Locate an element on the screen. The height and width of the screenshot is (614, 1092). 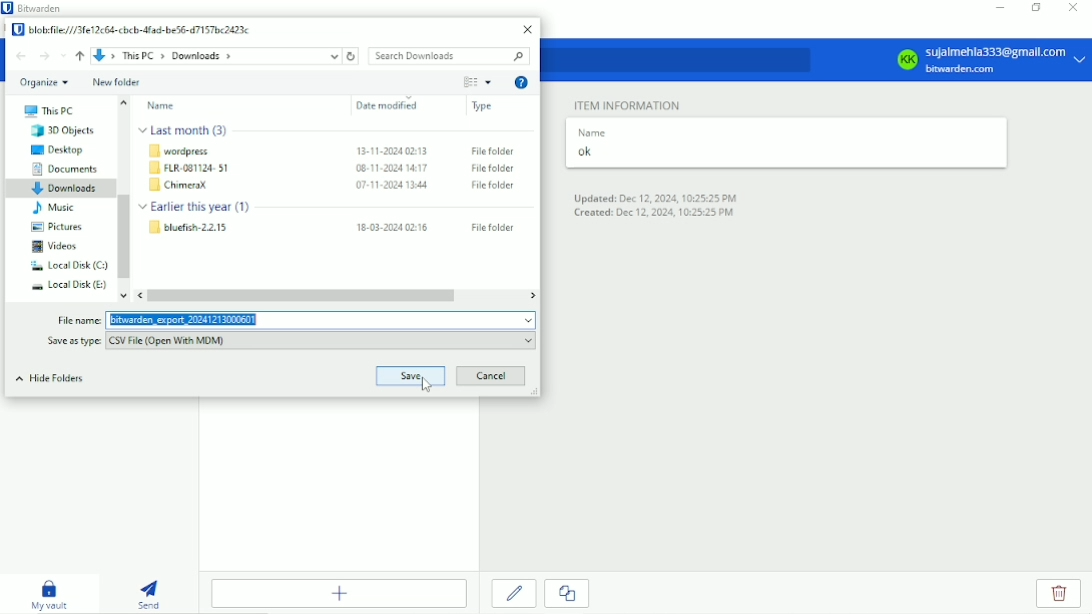
Item information is located at coordinates (629, 103).